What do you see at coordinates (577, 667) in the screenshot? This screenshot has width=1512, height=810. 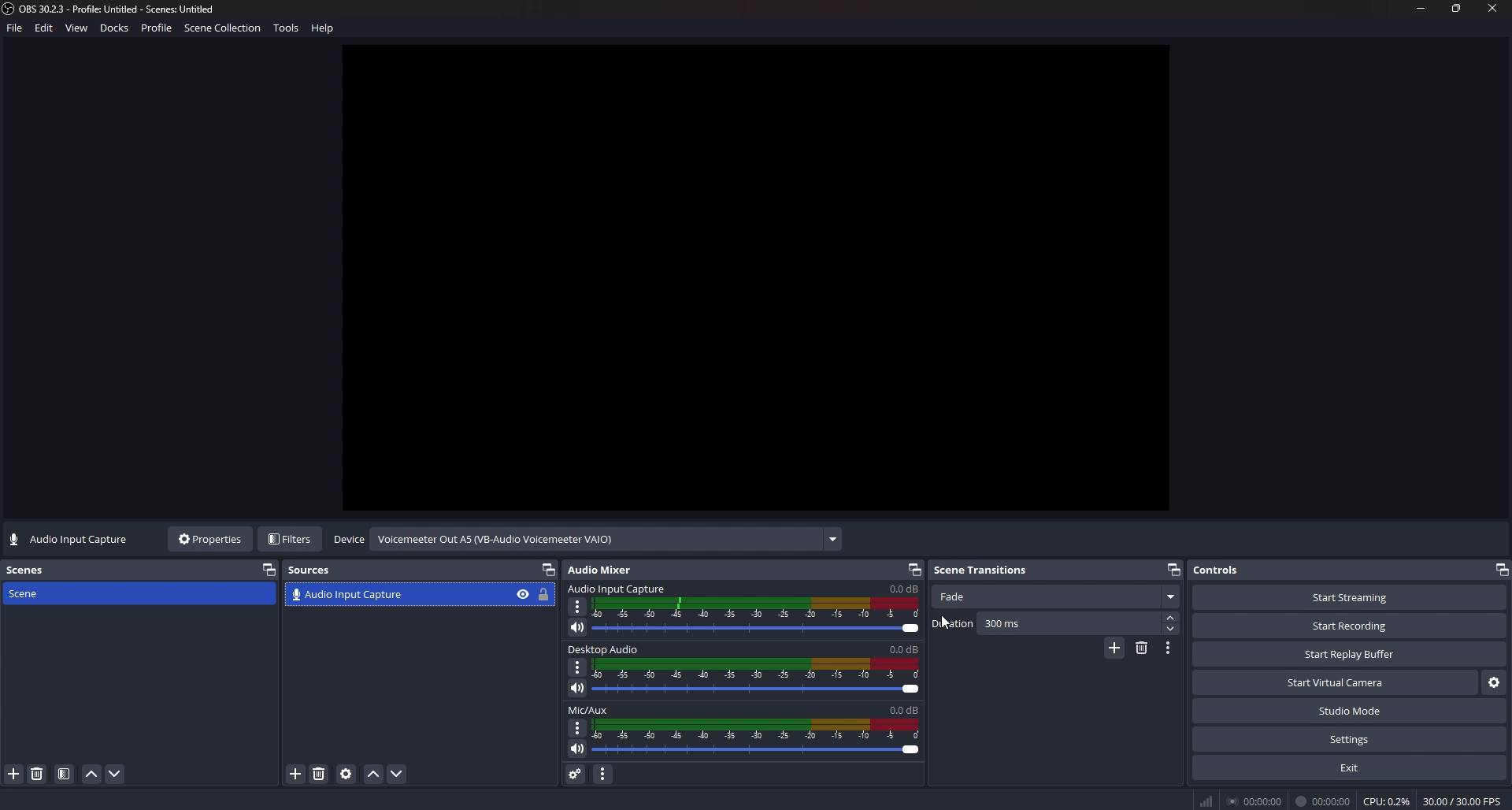 I see `options` at bounding box center [577, 667].